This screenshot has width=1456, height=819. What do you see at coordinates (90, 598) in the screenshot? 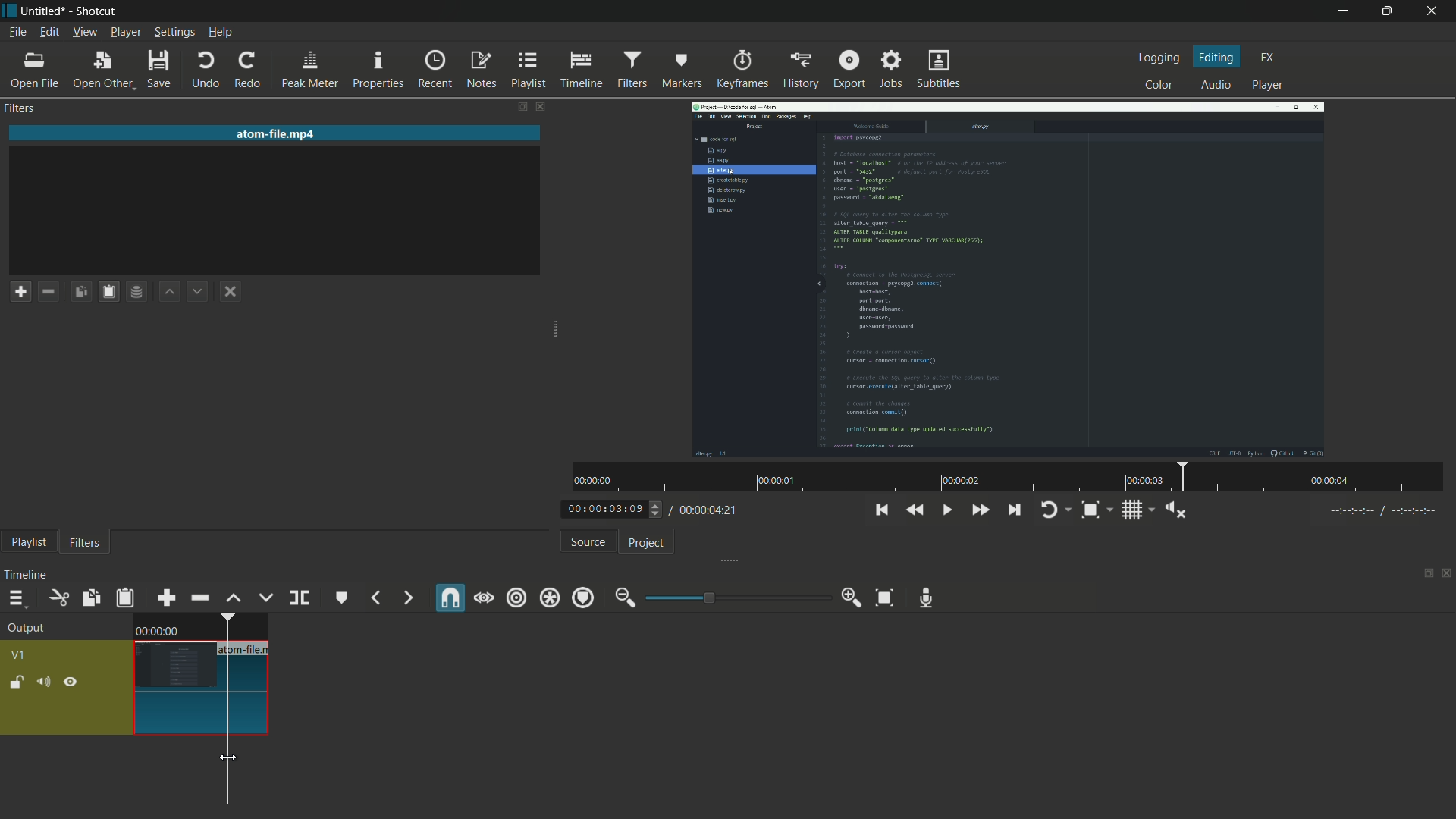
I see `copy` at bounding box center [90, 598].